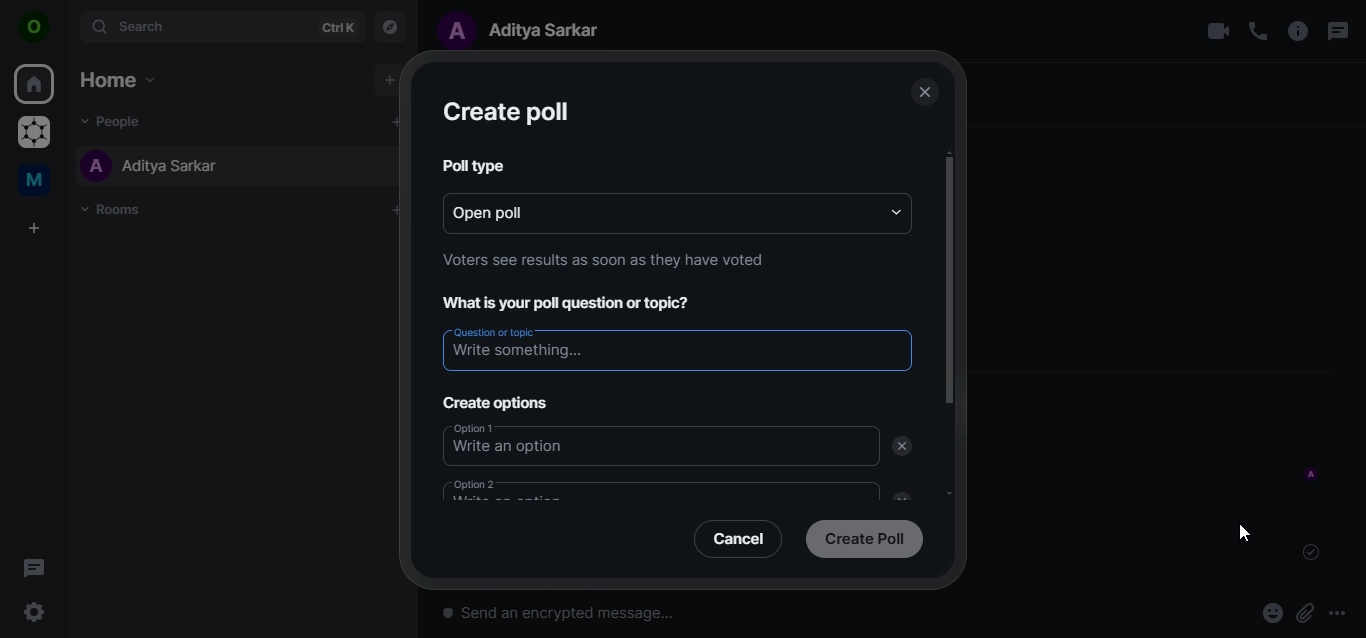 The height and width of the screenshot is (638, 1366). Describe the element at coordinates (117, 210) in the screenshot. I see `rooms` at that location.